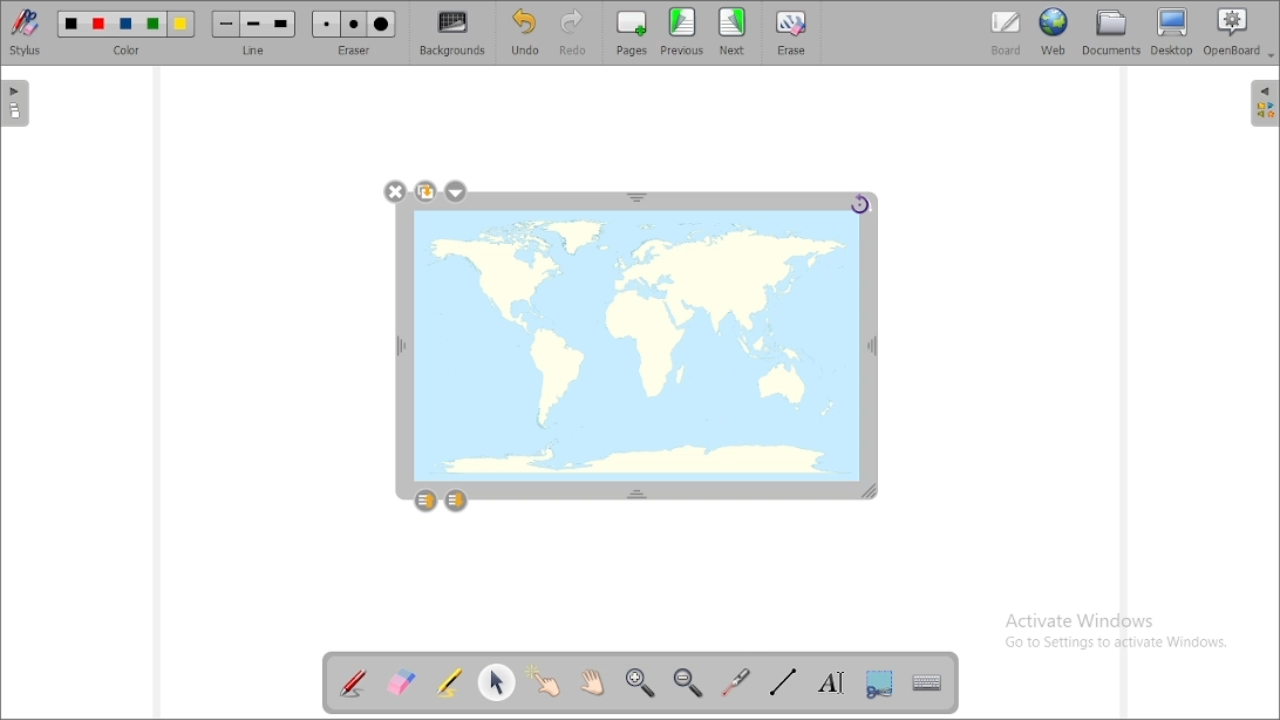 This screenshot has height=720, width=1280. I want to click on next, so click(732, 31).